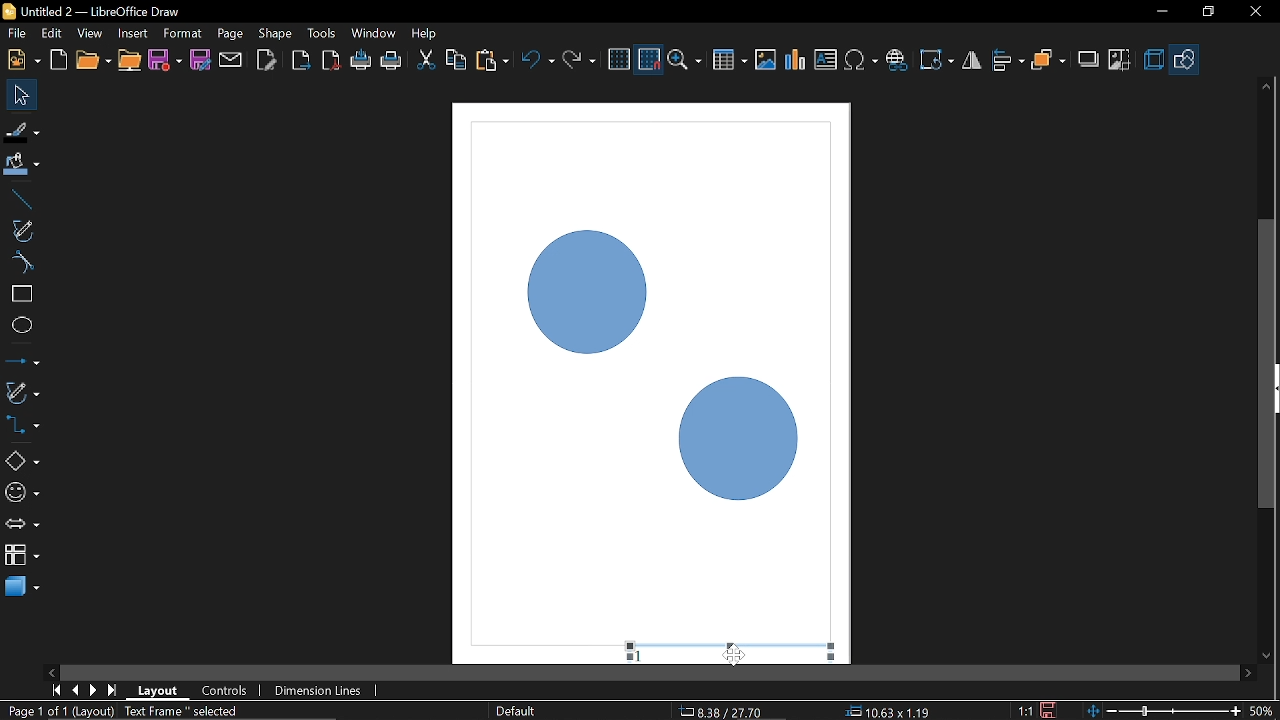 The height and width of the screenshot is (720, 1280). I want to click on Rotate, so click(938, 60).